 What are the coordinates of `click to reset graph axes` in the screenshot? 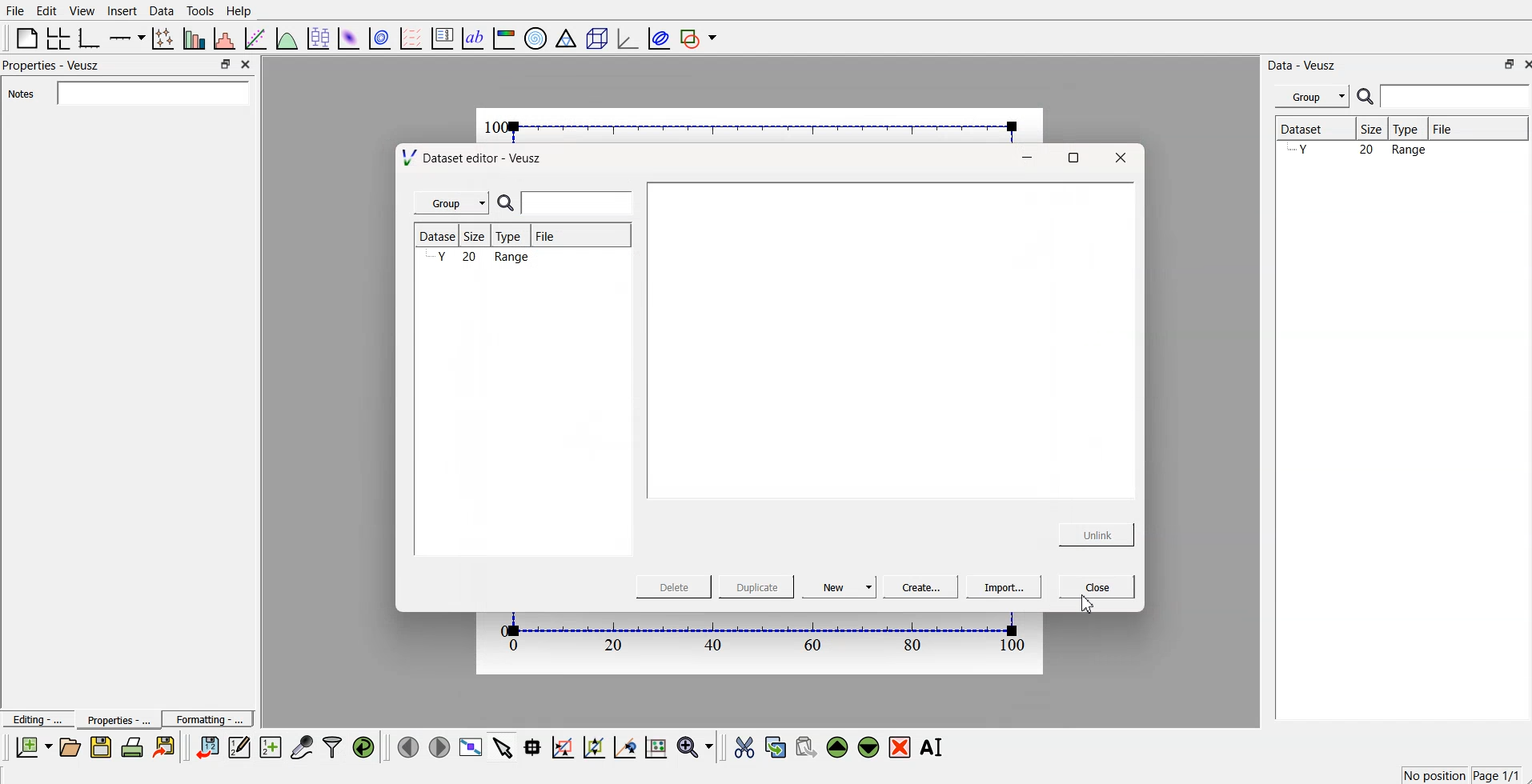 It's located at (657, 746).